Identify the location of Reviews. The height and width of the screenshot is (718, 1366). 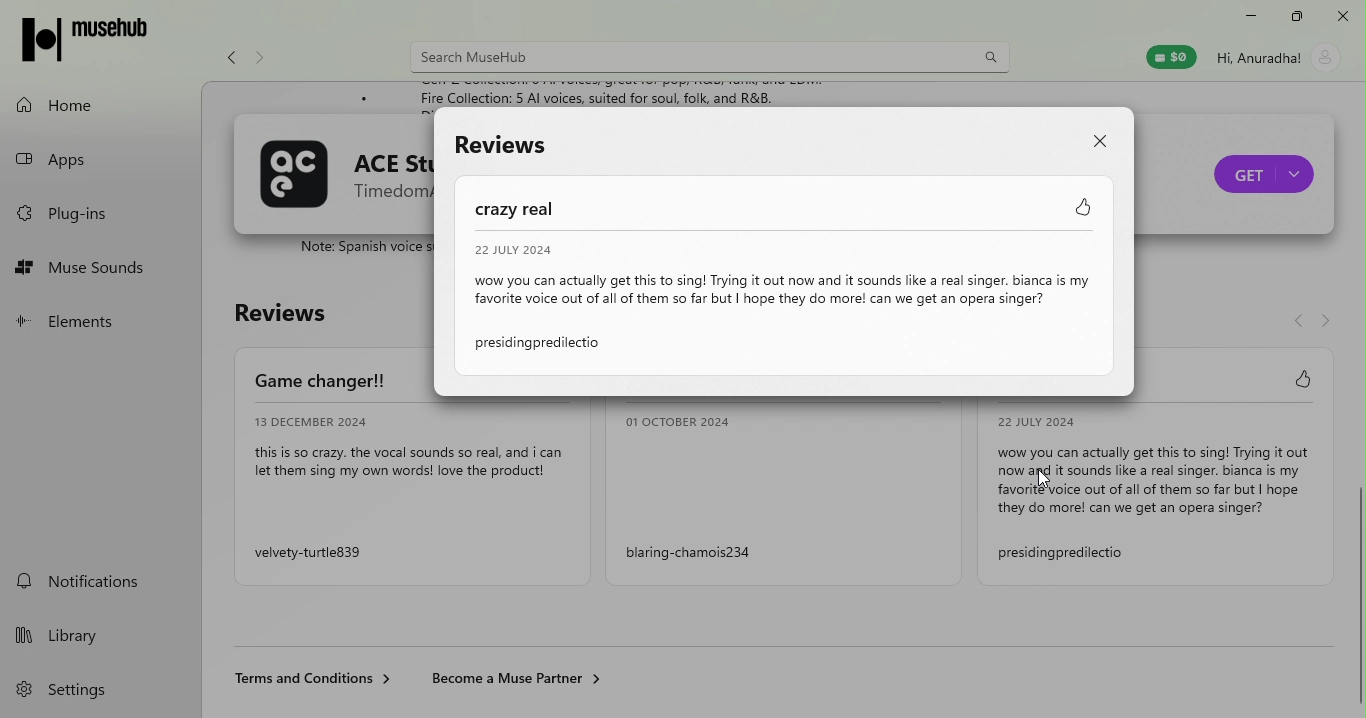
(507, 150).